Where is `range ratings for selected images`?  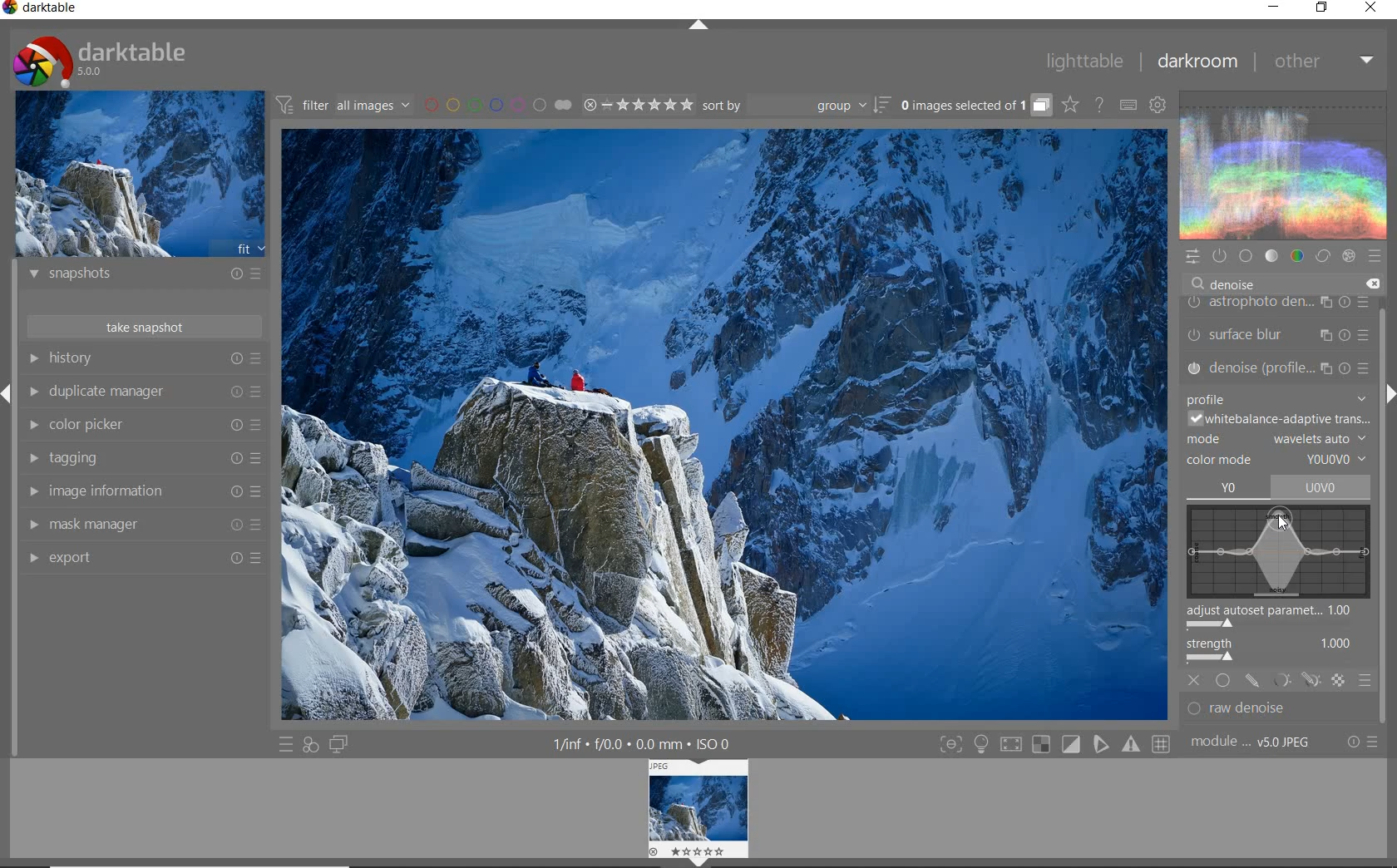 range ratings for selected images is located at coordinates (639, 105).